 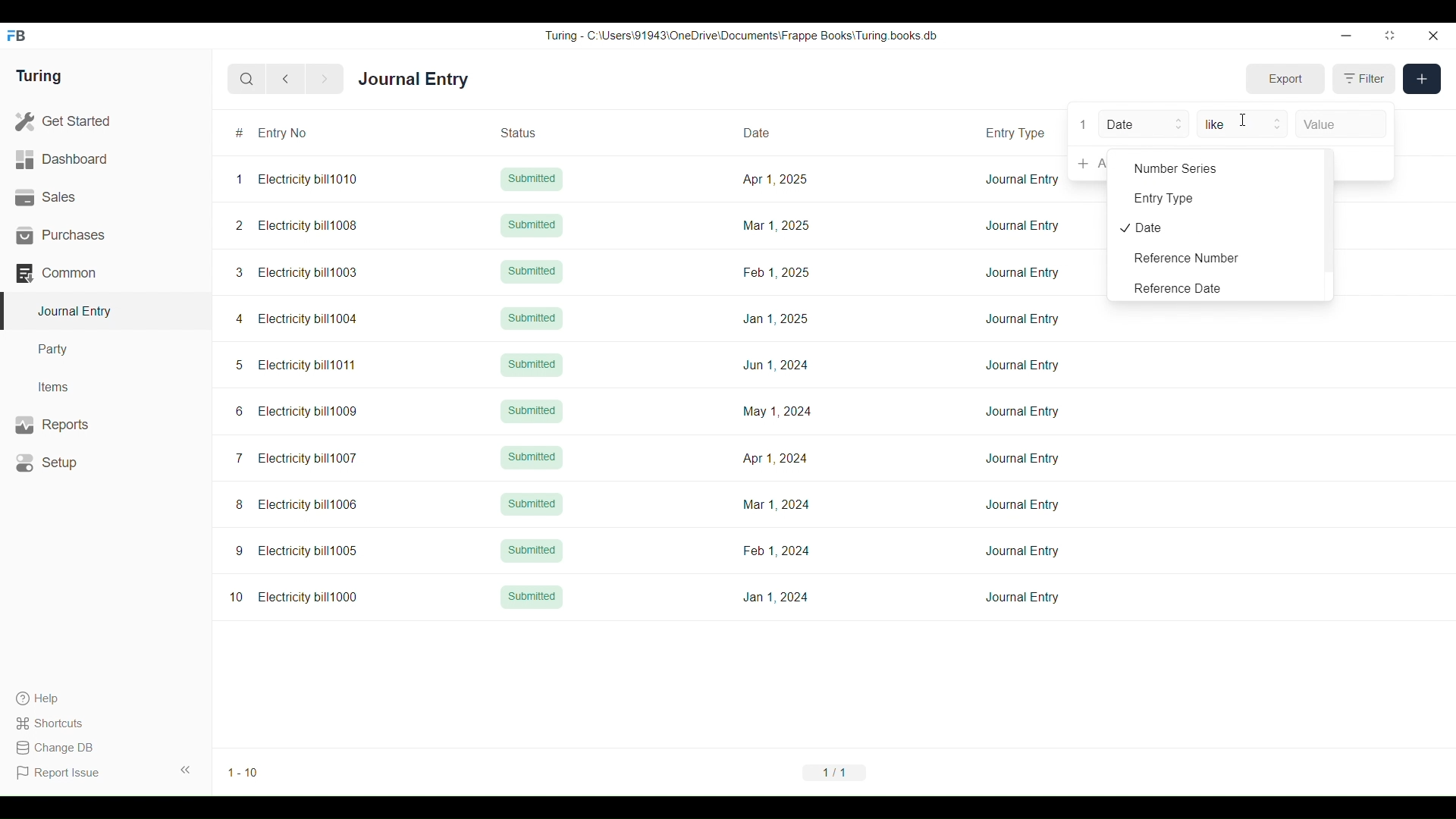 I want to click on Submitted, so click(x=532, y=272).